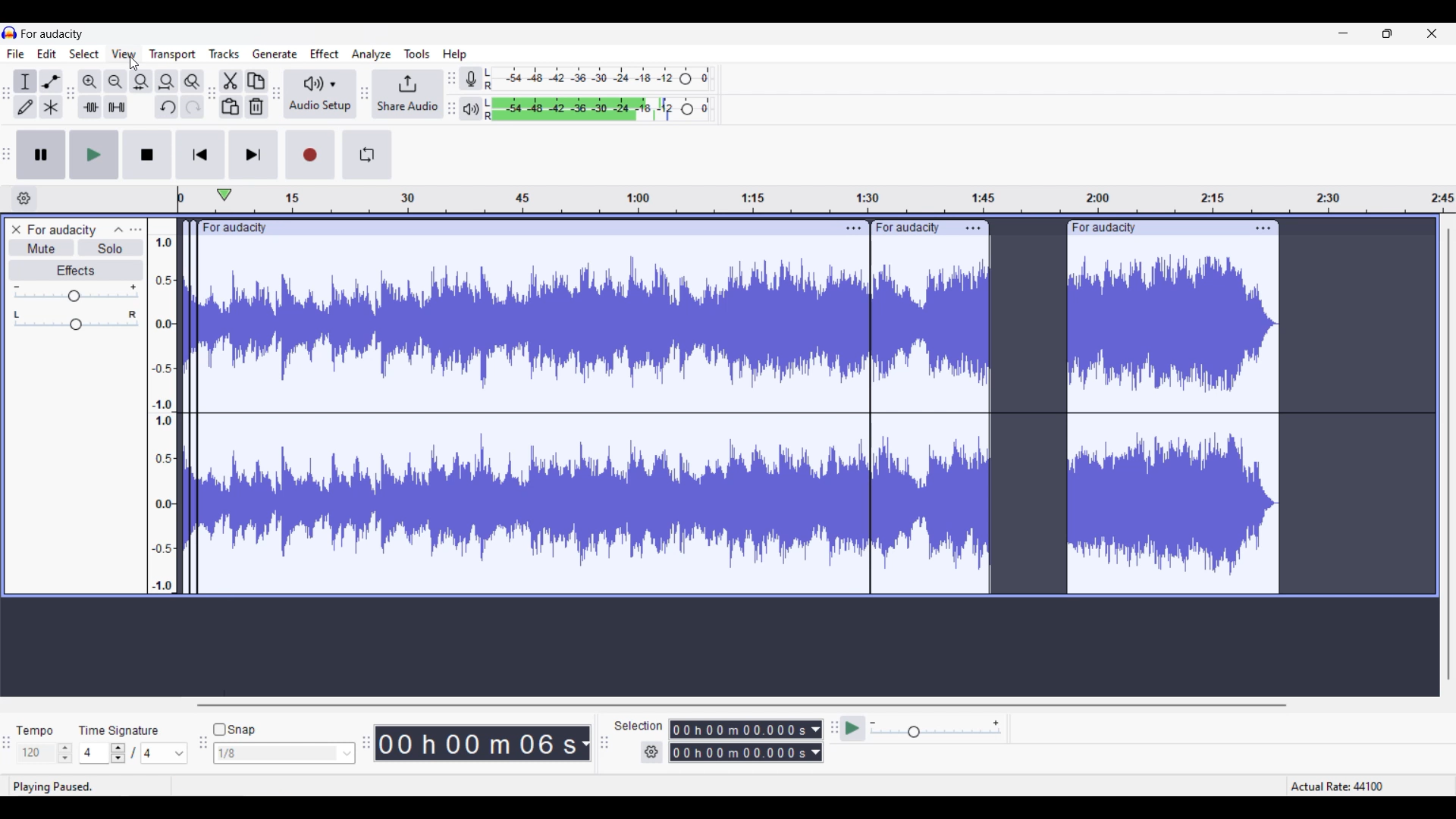 This screenshot has width=1456, height=819. I want to click on Minimize, so click(1343, 33).